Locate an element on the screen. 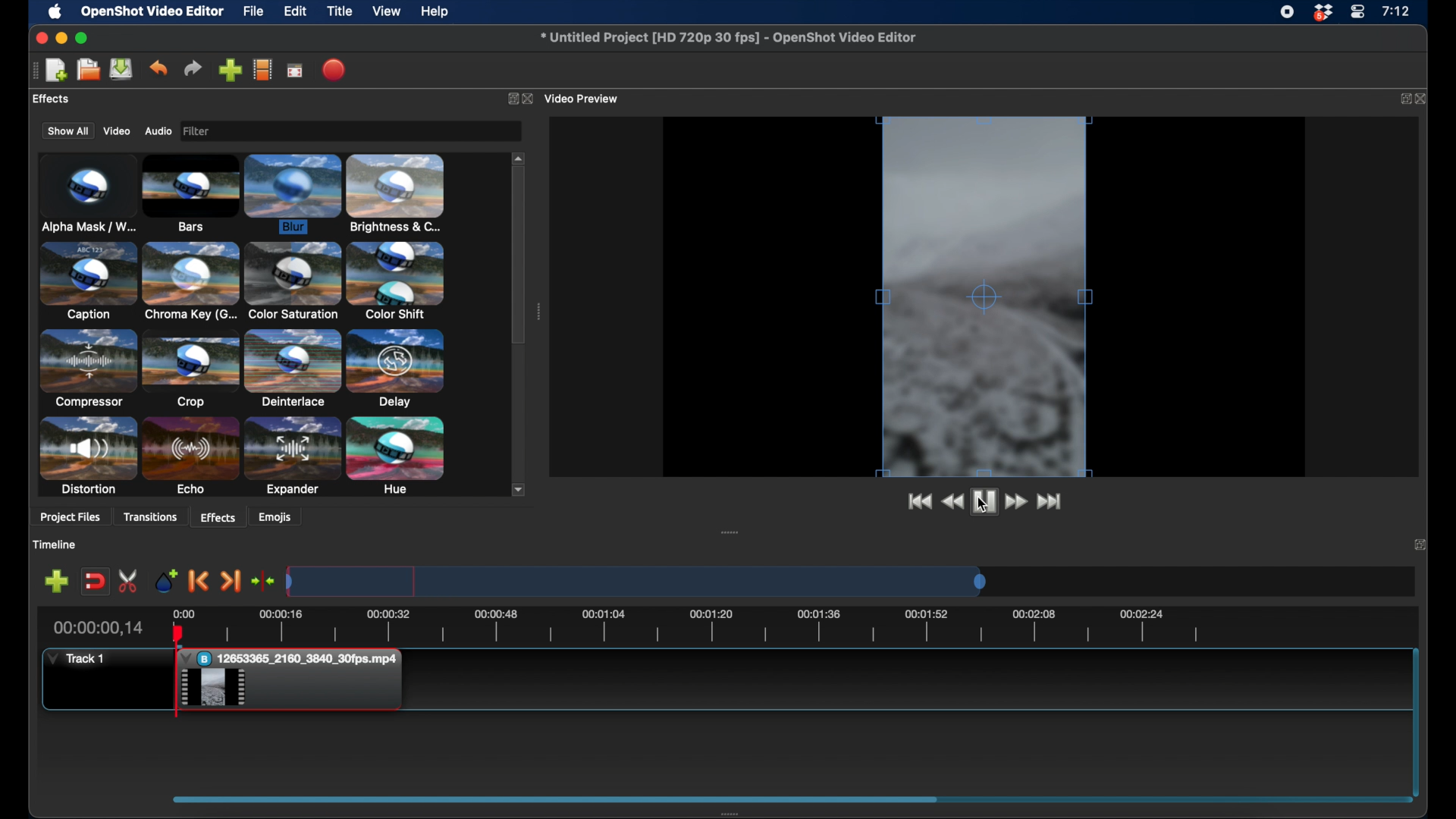 The image size is (1456, 819). drag handle is located at coordinates (538, 312).